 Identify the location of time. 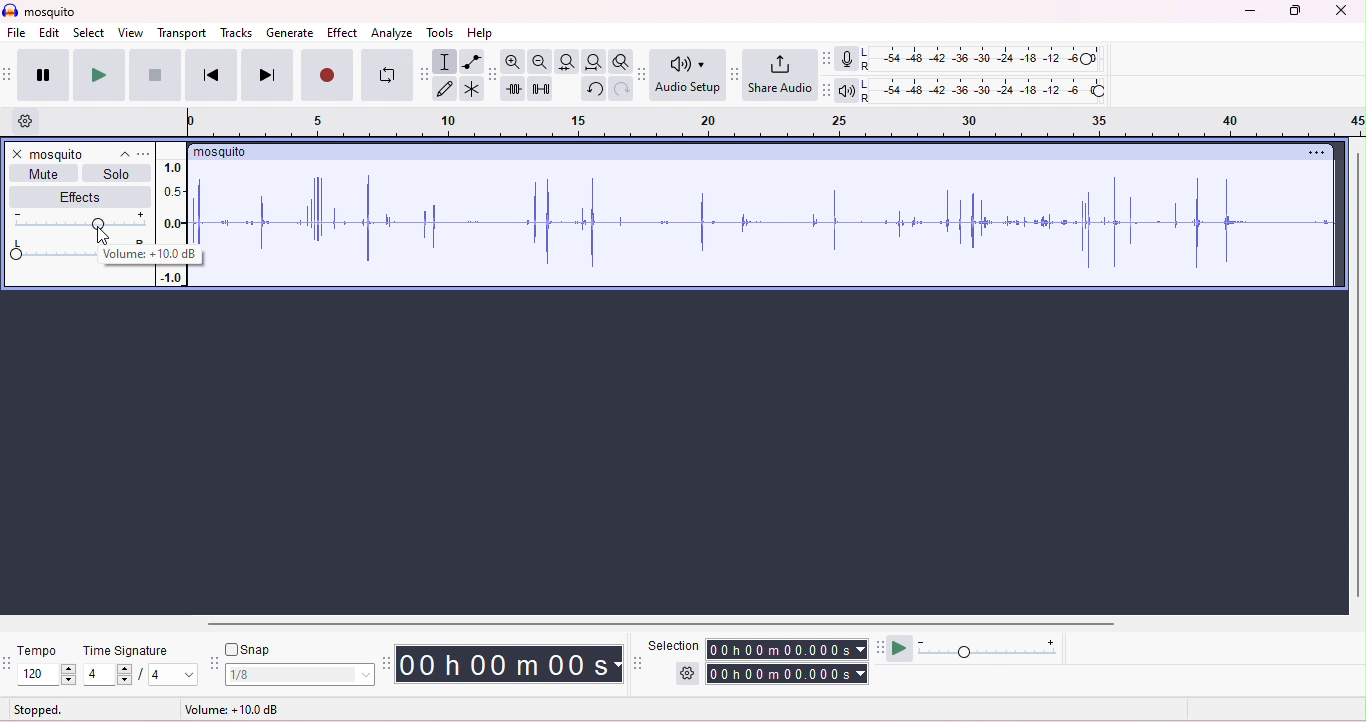
(510, 664).